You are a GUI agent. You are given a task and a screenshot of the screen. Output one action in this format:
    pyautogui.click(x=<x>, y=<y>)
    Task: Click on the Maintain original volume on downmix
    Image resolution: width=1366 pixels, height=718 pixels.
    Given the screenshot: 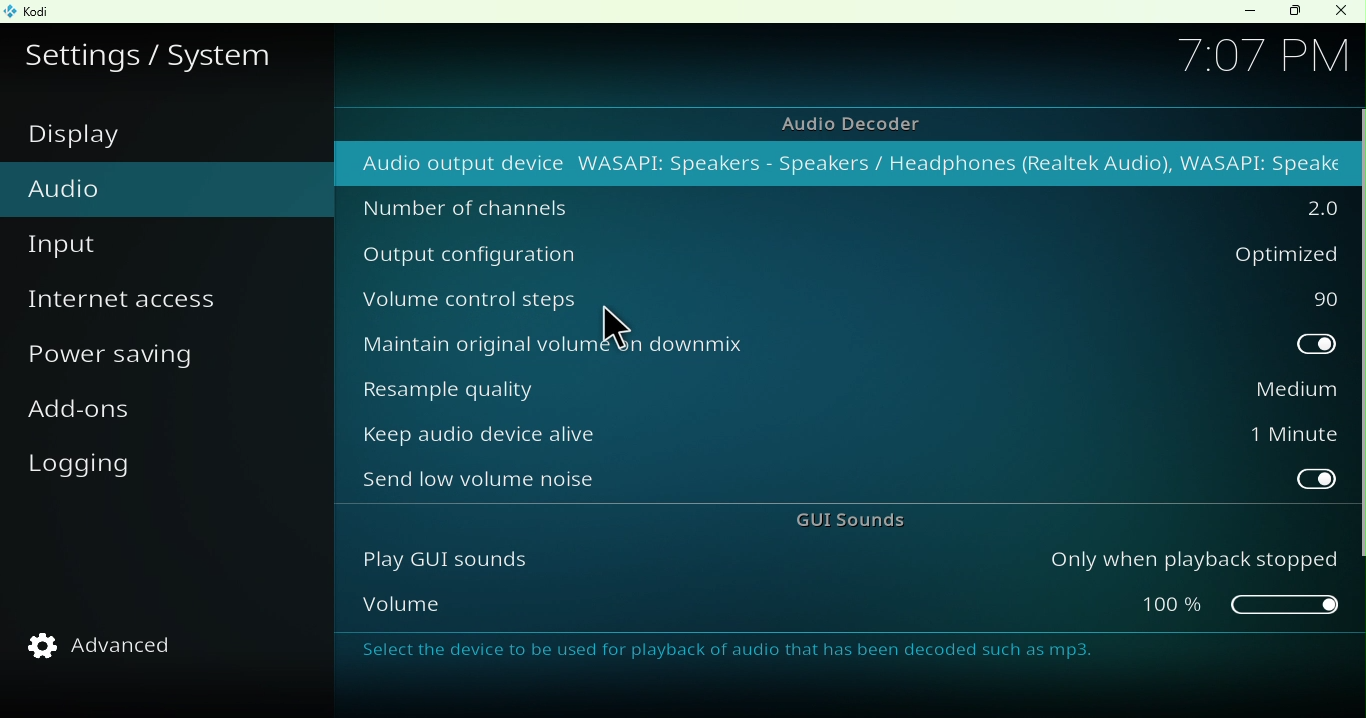 What is the action you would take?
    pyautogui.click(x=718, y=346)
    